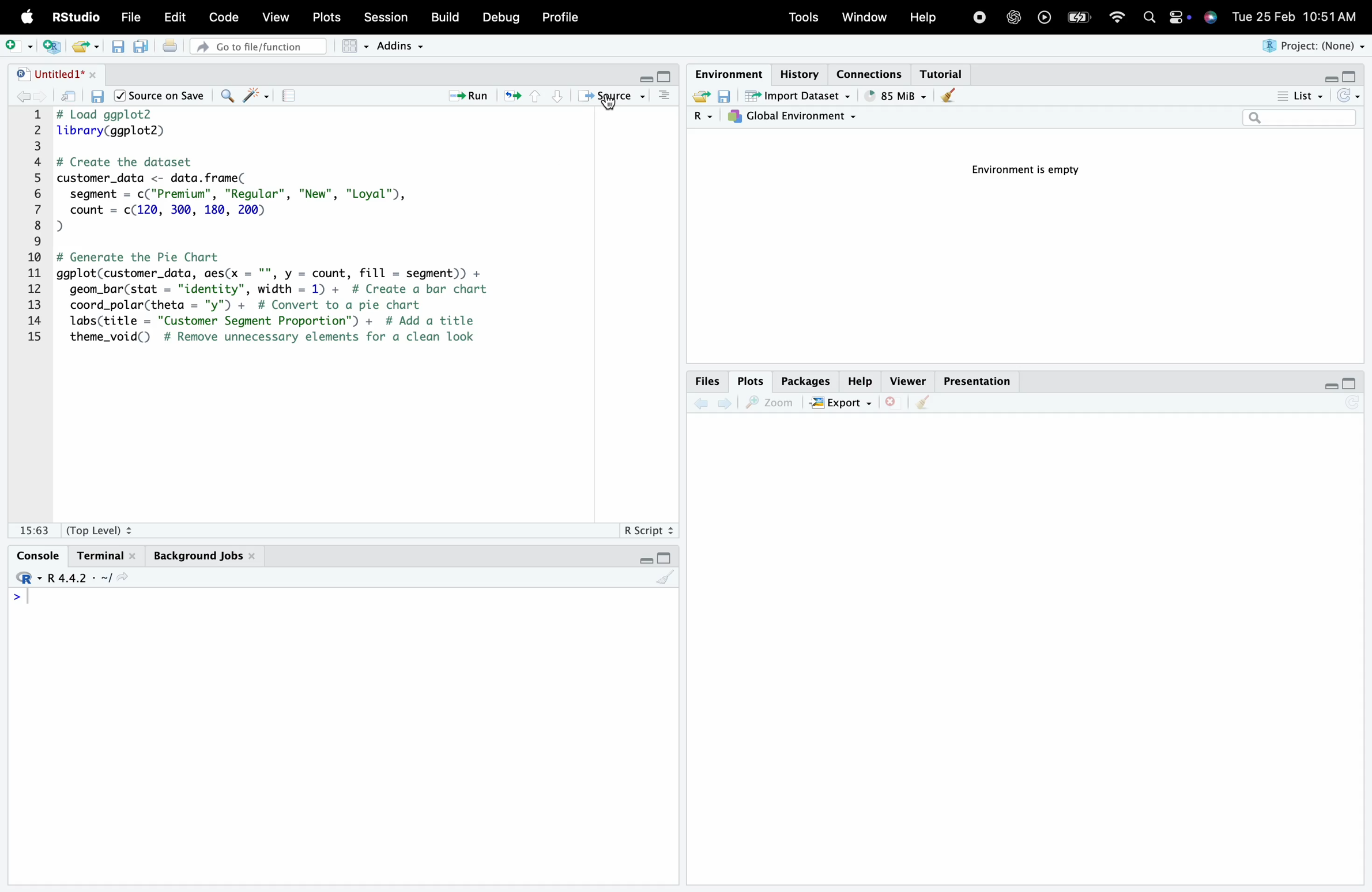 Image resolution: width=1372 pixels, height=892 pixels. I want to click on > |, so click(26, 599).